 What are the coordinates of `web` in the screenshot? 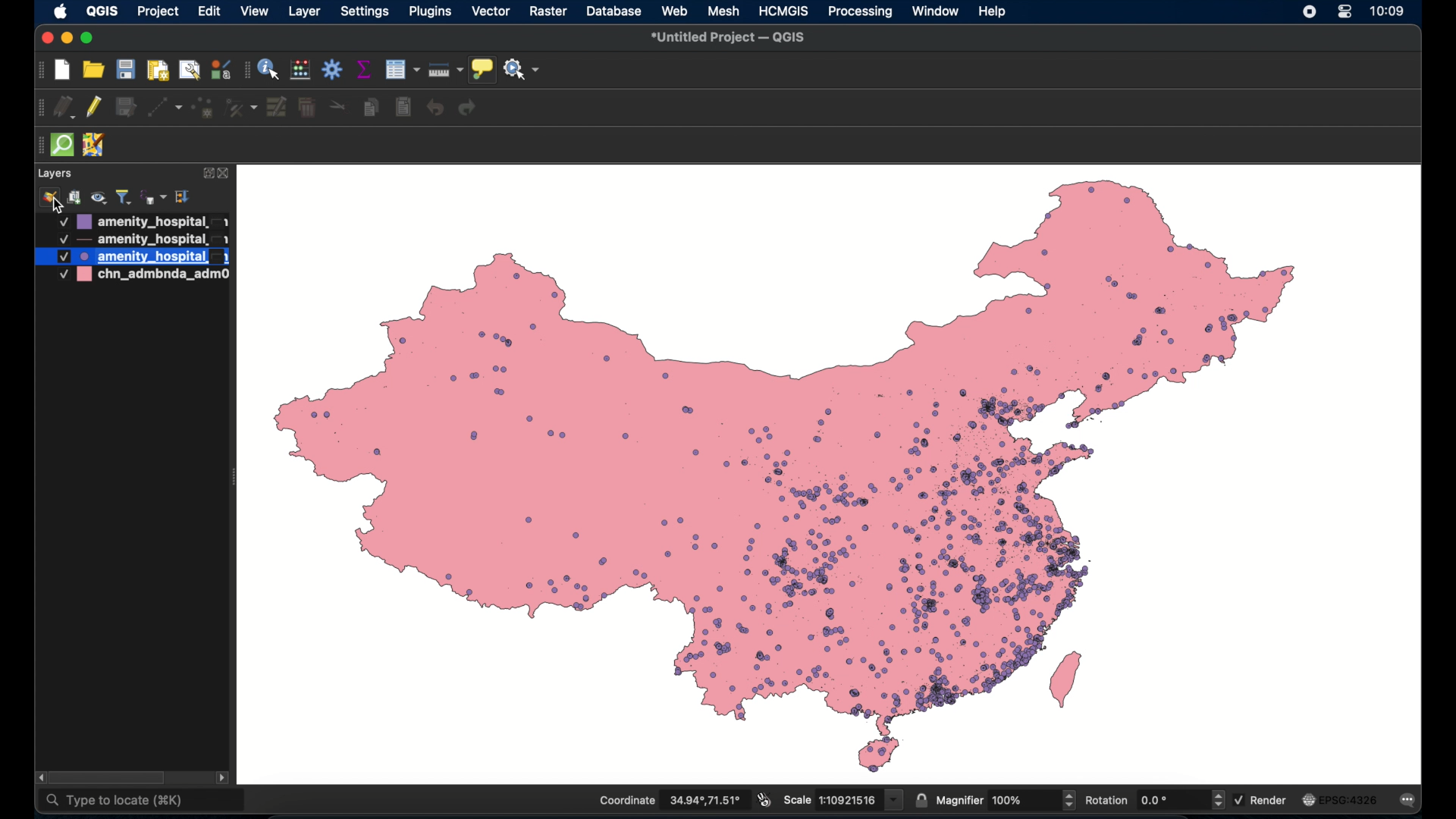 It's located at (676, 11).